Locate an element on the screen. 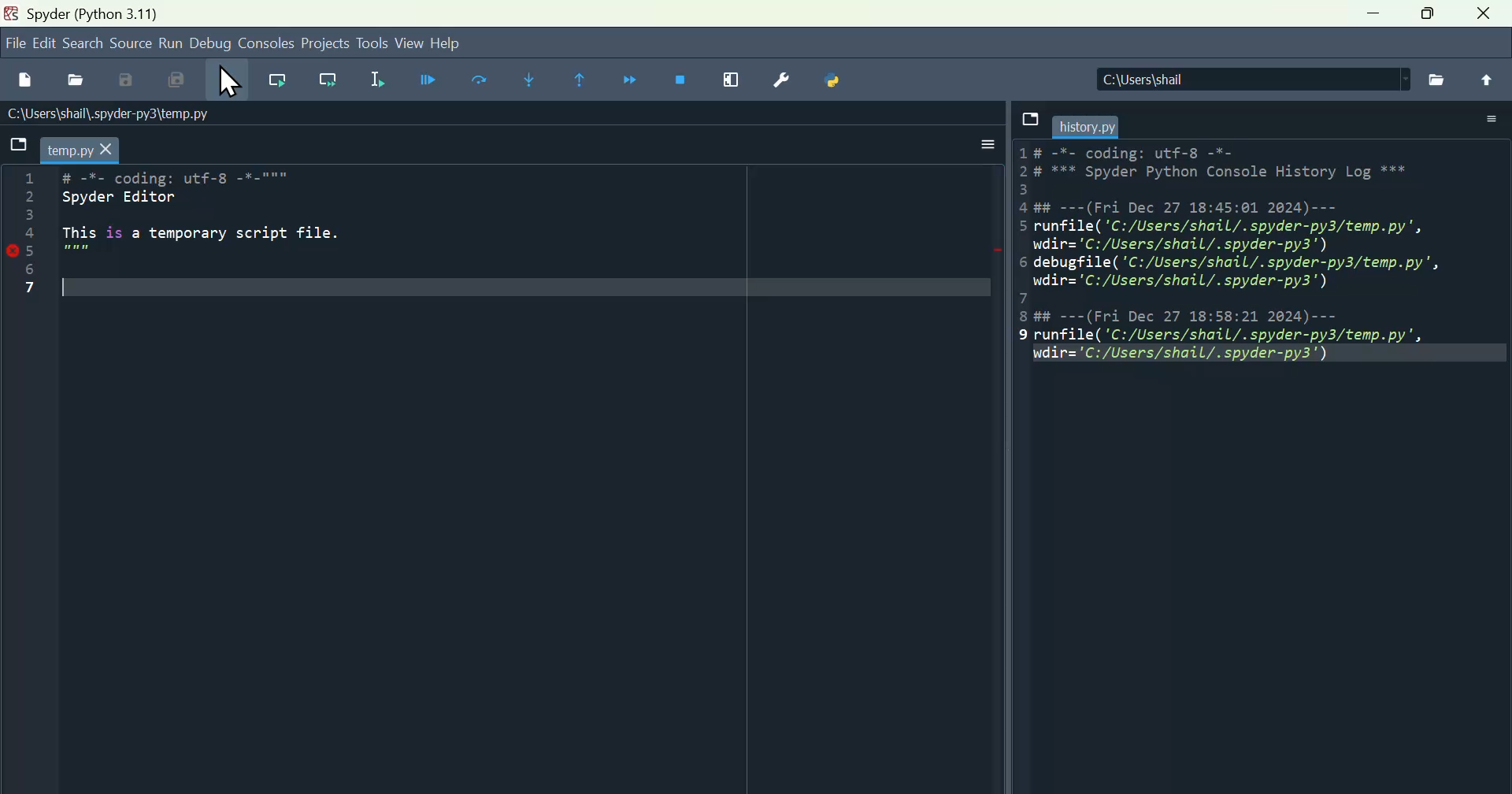  maximise is located at coordinates (1425, 21).